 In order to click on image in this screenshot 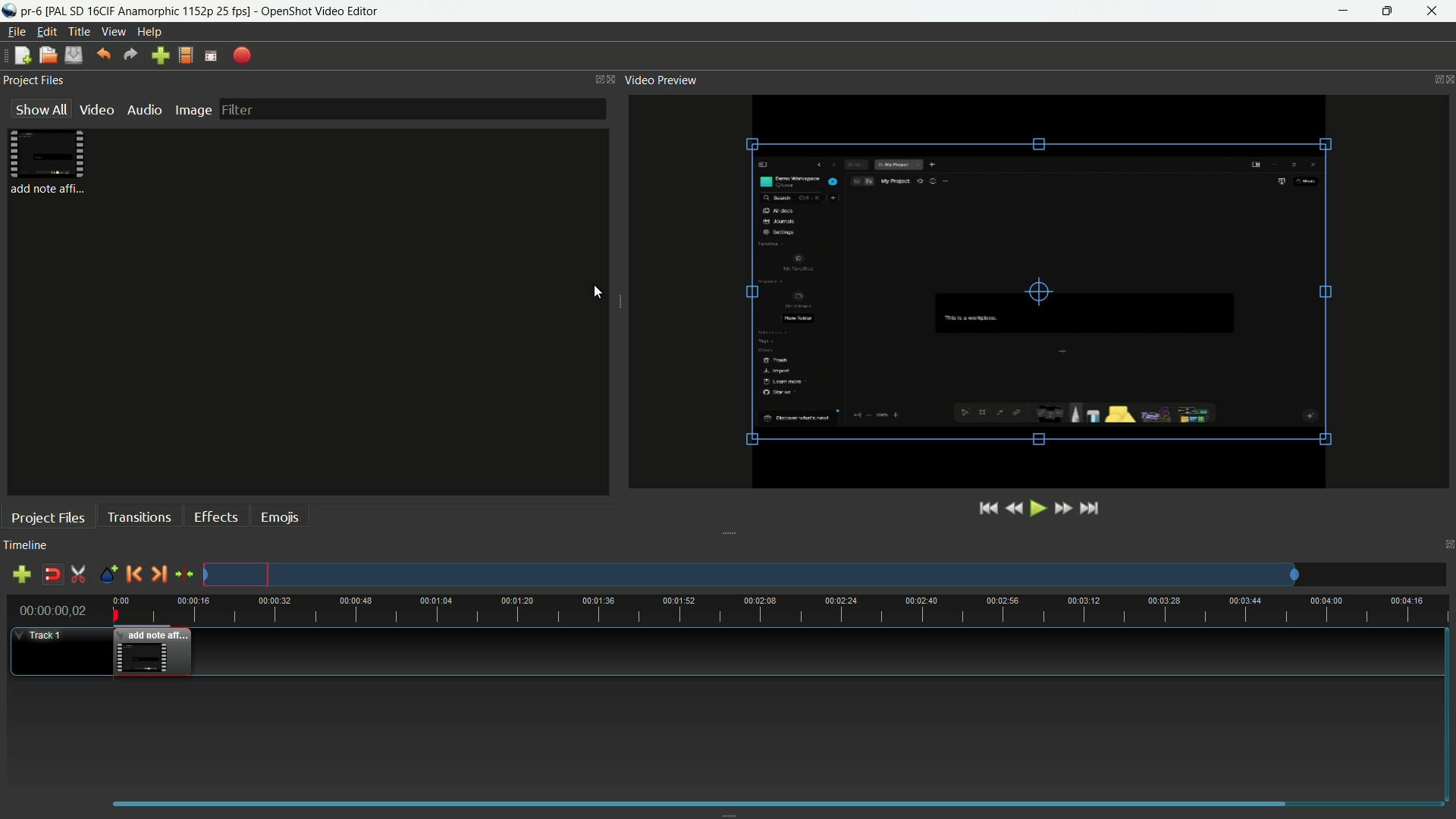, I will do `click(190, 109)`.